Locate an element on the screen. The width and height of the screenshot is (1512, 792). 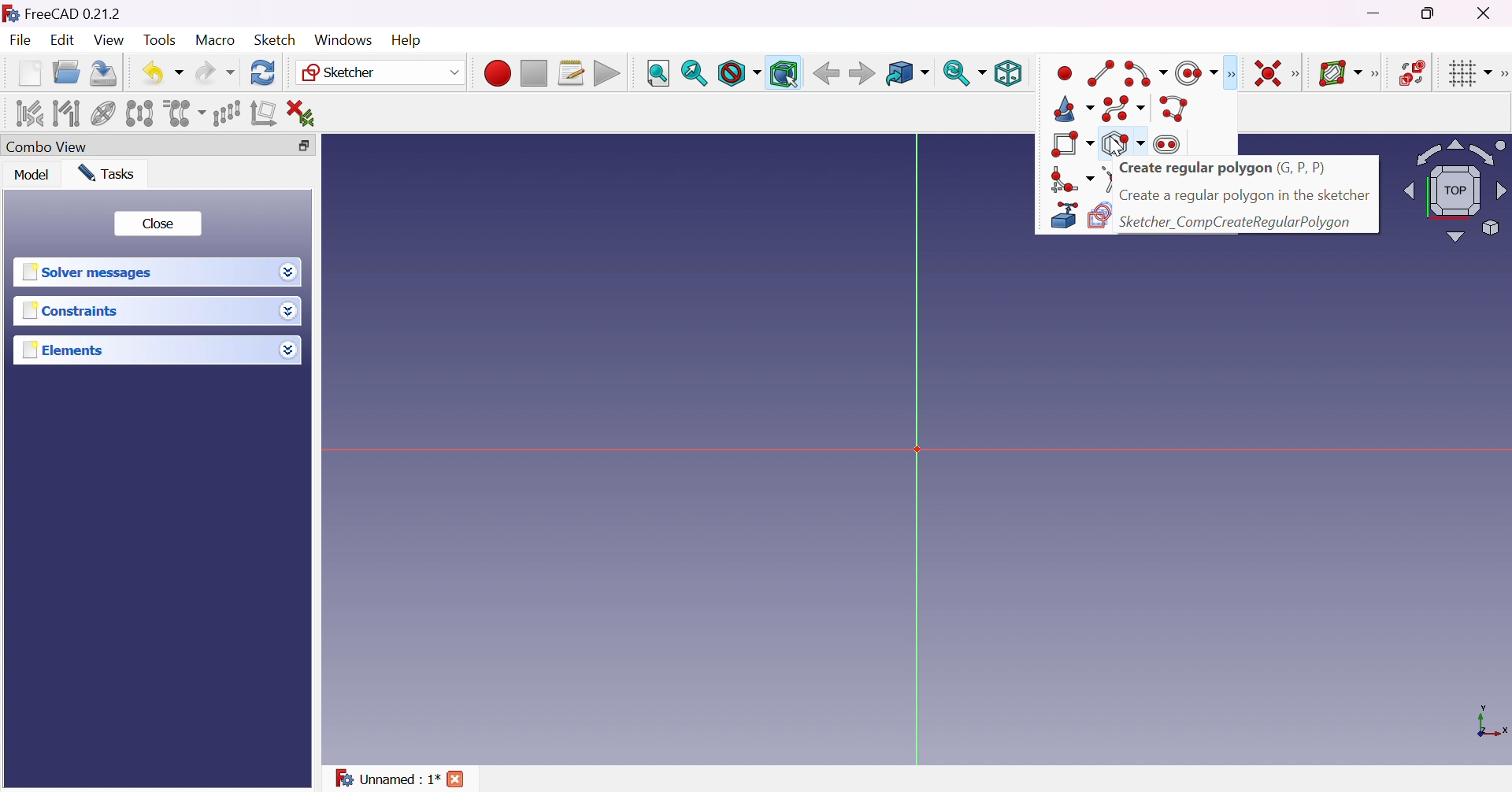
Rectangular array is located at coordinates (227, 113).